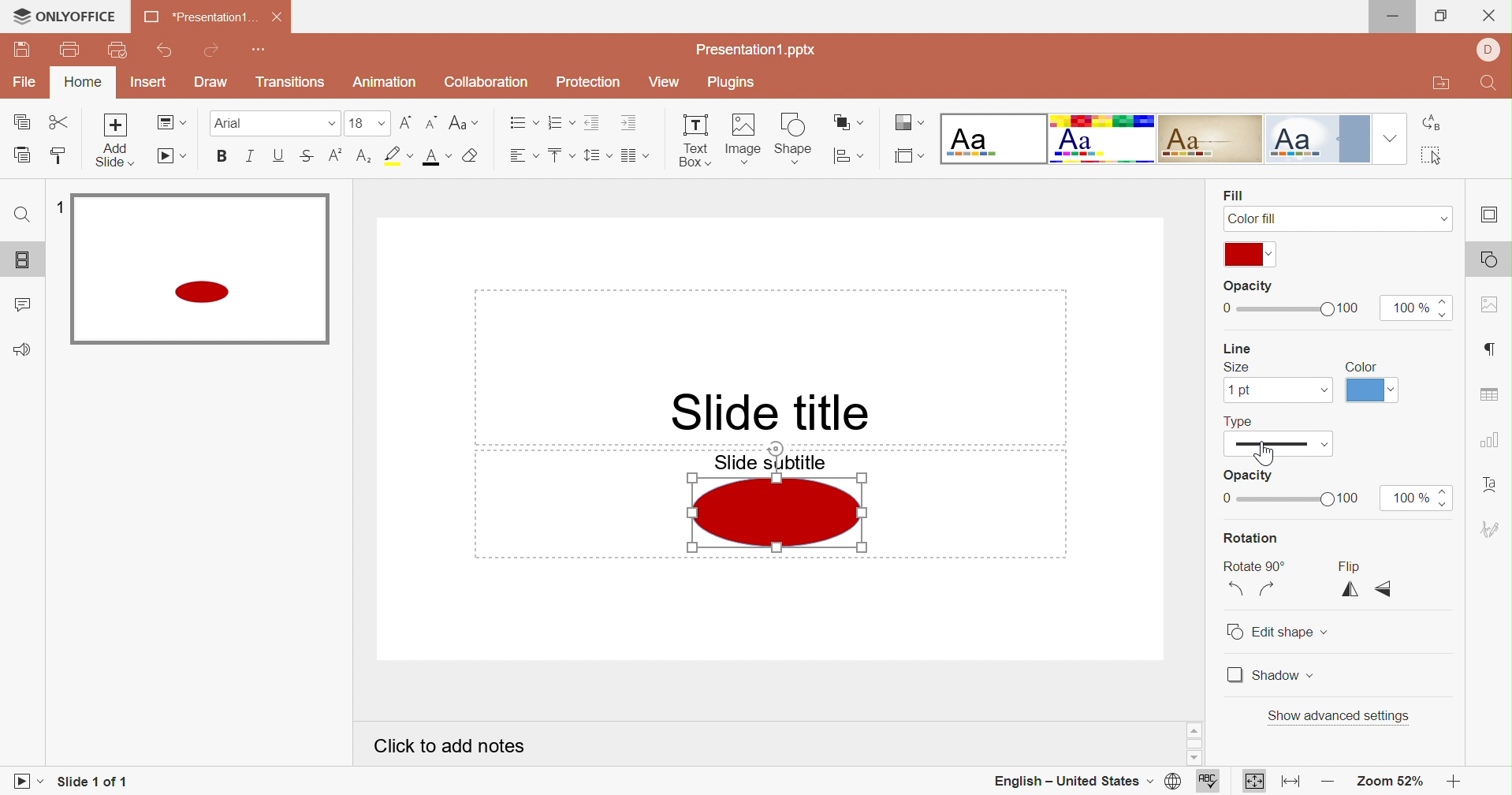 The image size is (1512, 795). What do you see at coordinates (23, 259) in the screenshot?
I see `Slides` at bounding box center [23, 259].